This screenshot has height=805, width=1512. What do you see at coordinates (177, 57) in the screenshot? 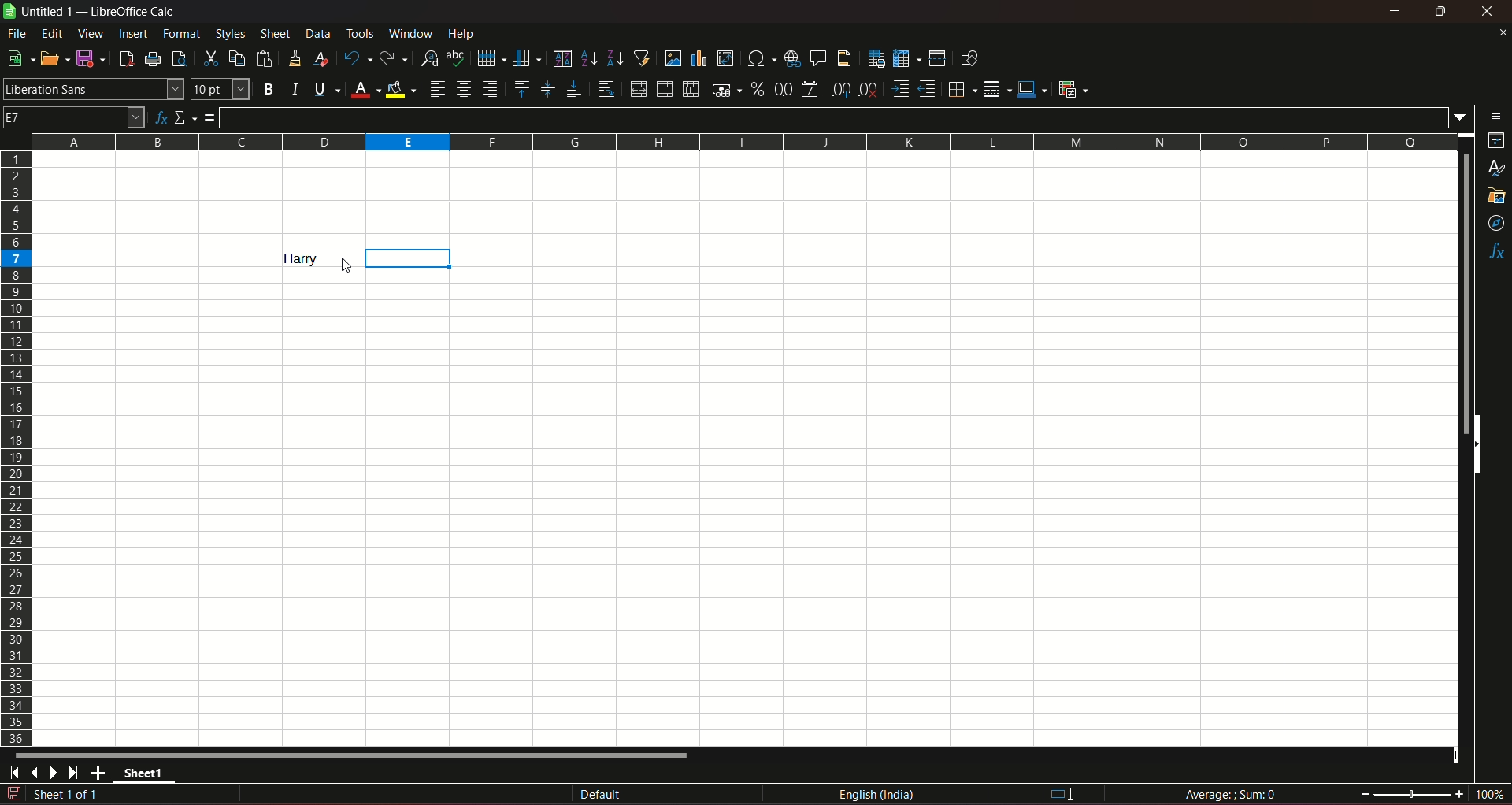
I see `toggle print preview` at bounding box center [177, 57].